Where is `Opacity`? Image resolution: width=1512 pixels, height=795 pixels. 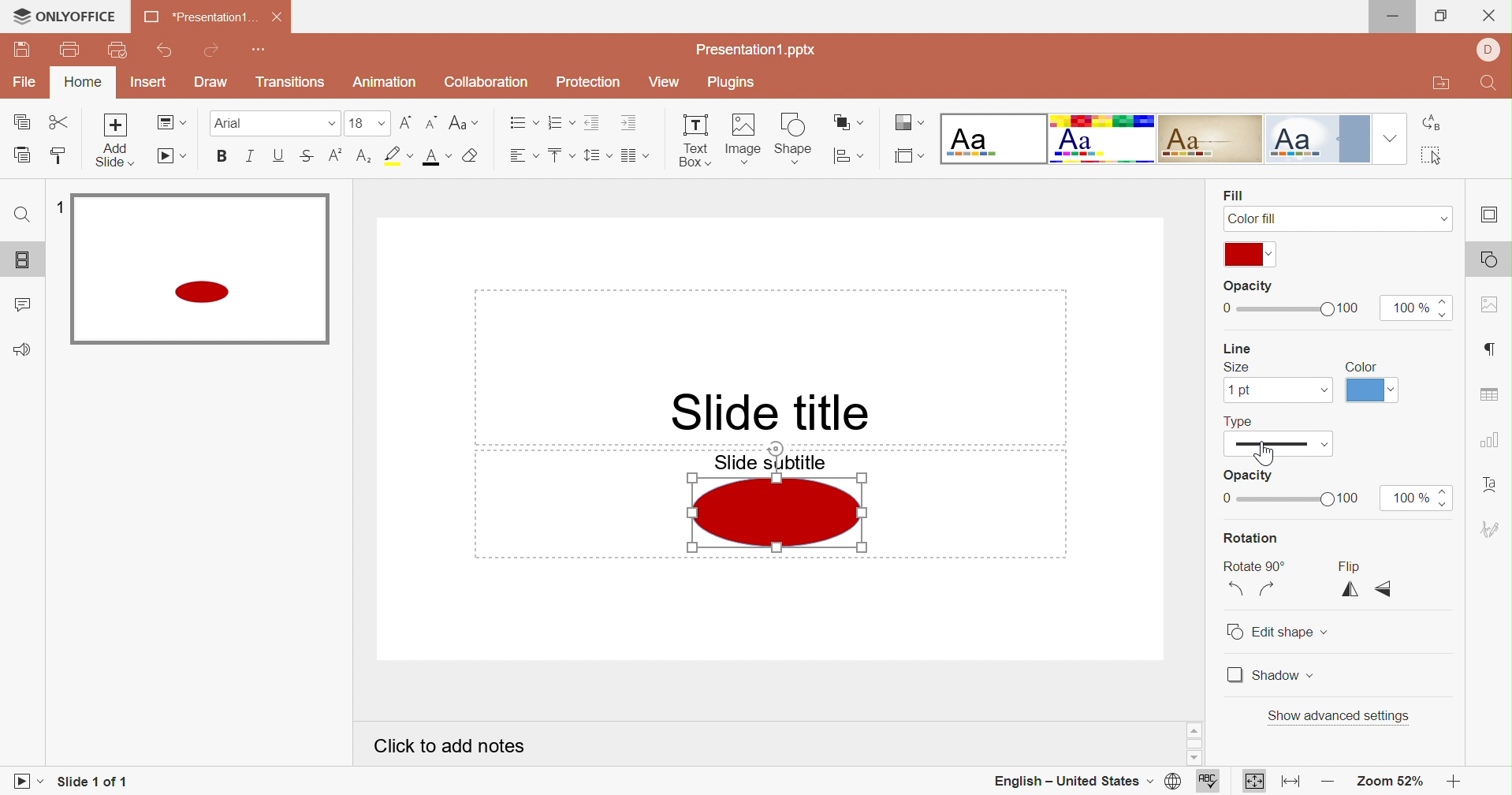
Opacity is located at coordinates (1247, 288).